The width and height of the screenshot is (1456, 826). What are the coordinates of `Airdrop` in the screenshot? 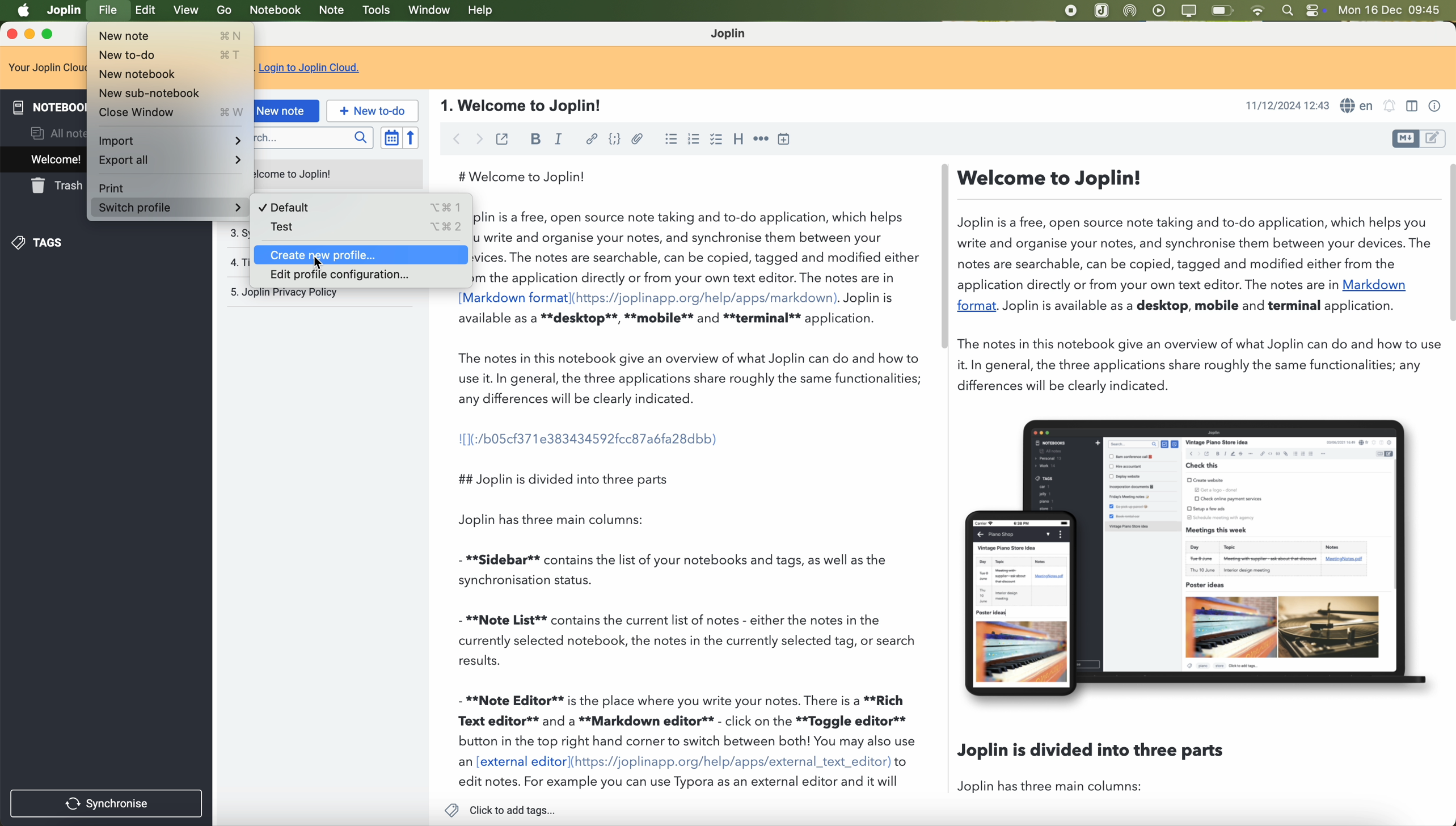 It's located at (1133, 11).